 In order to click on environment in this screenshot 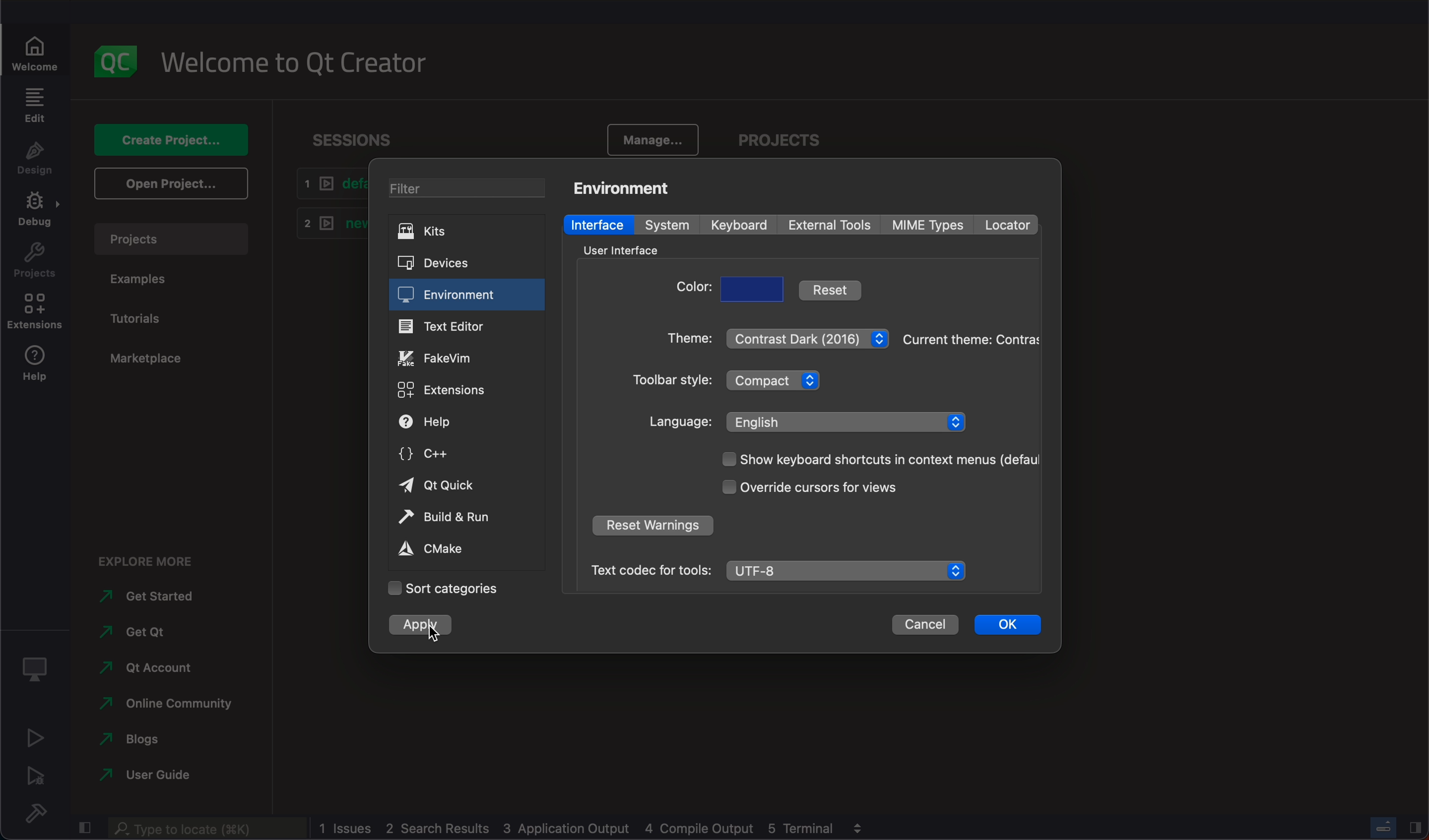, I will do `click(623, 188)`.